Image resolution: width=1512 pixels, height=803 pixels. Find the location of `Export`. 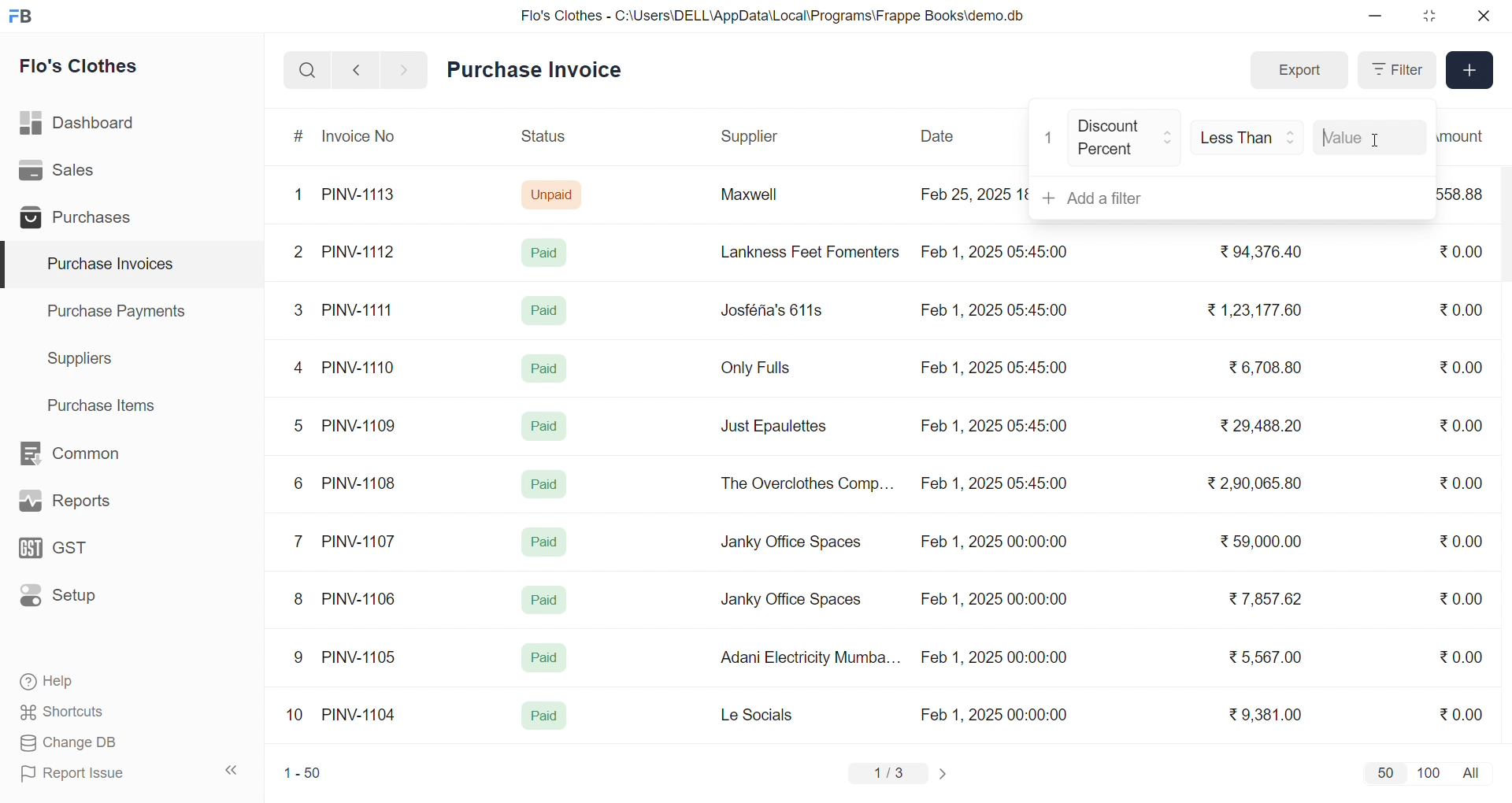

Export is located at coordinates (1299, 71).